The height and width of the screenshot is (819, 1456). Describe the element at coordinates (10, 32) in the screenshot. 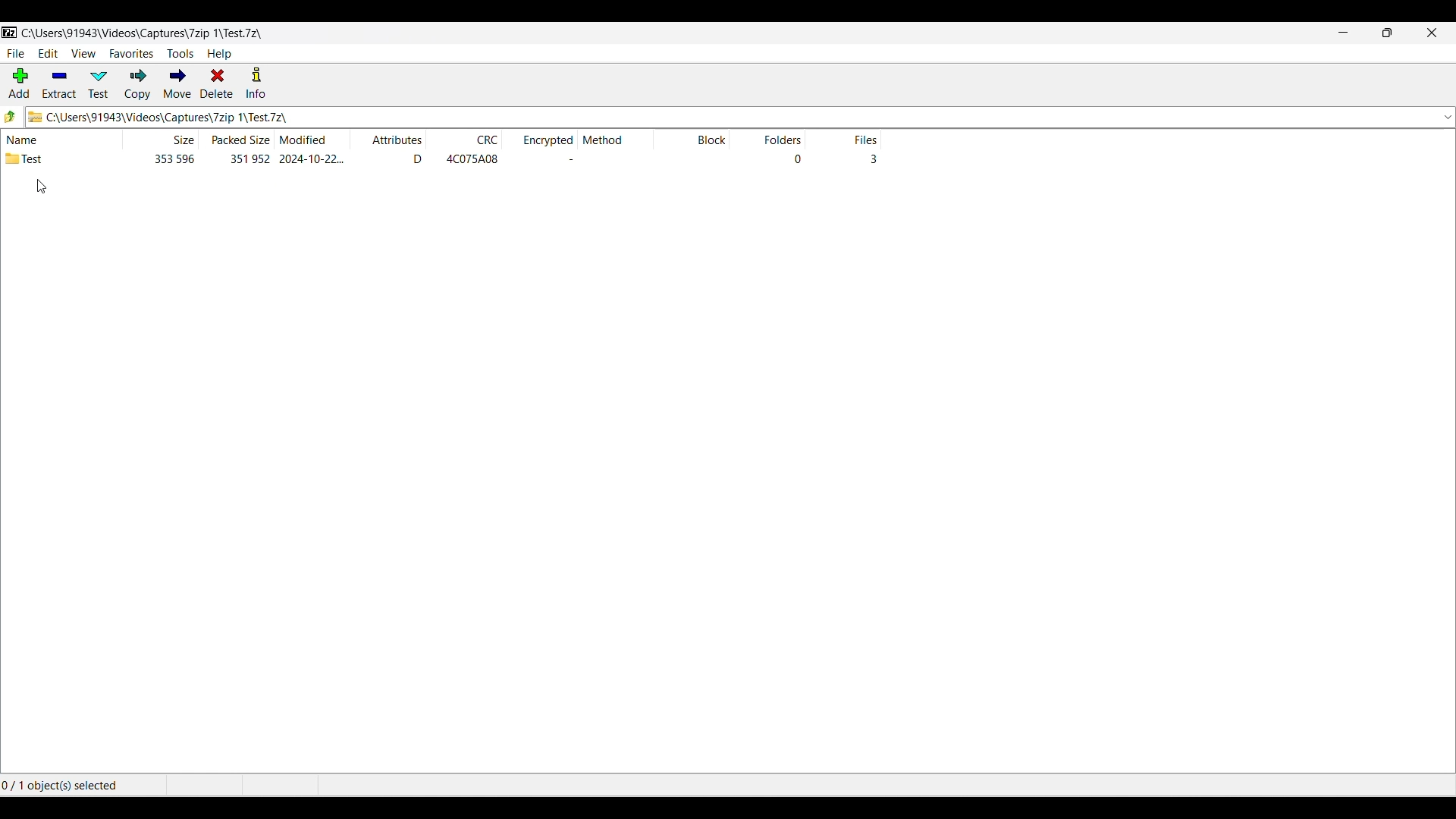

I see `Software logo` at that location.